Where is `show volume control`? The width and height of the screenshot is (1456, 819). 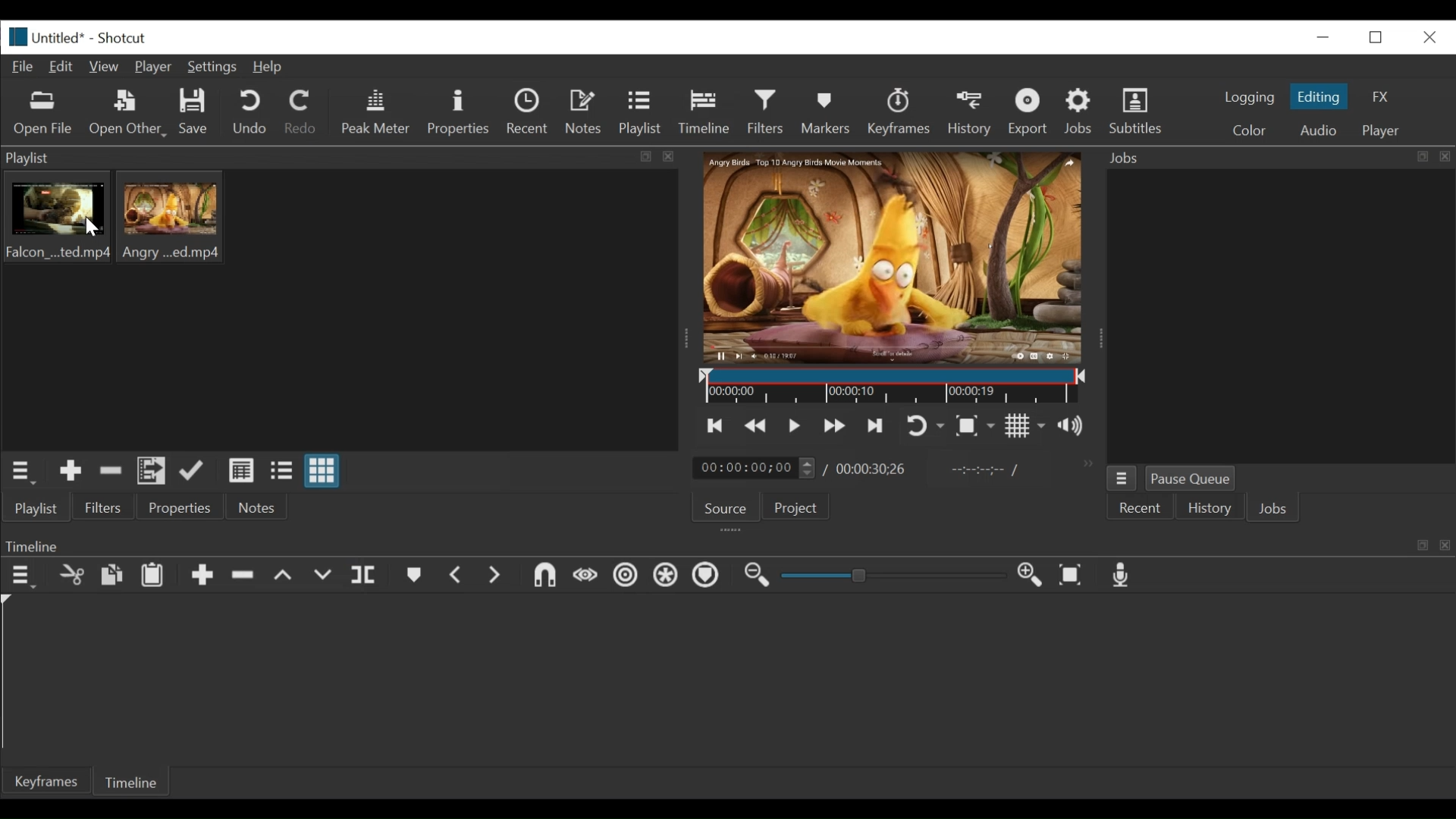 show volume control is located at coordinates (1077, 427).